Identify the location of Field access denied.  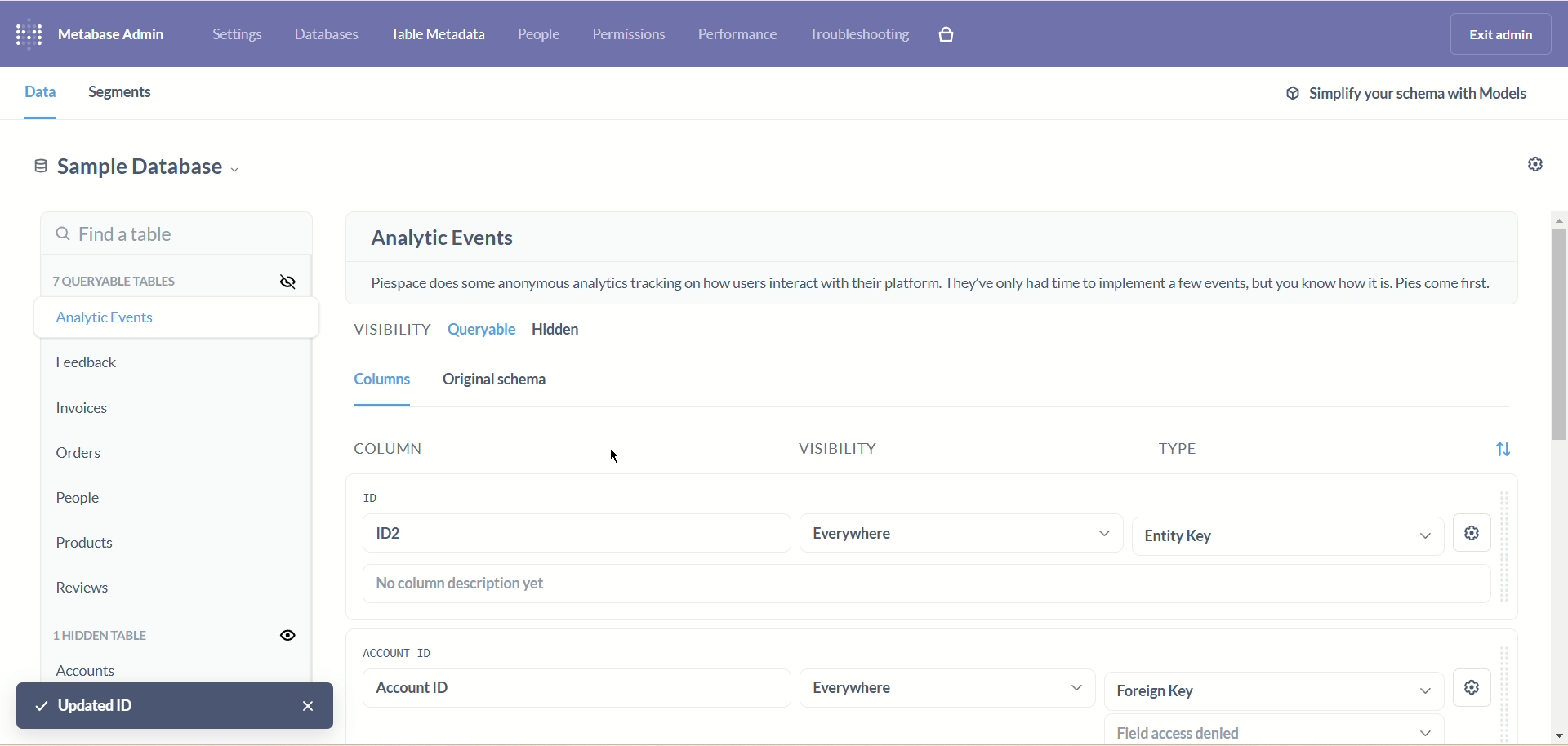
(1270, 732).